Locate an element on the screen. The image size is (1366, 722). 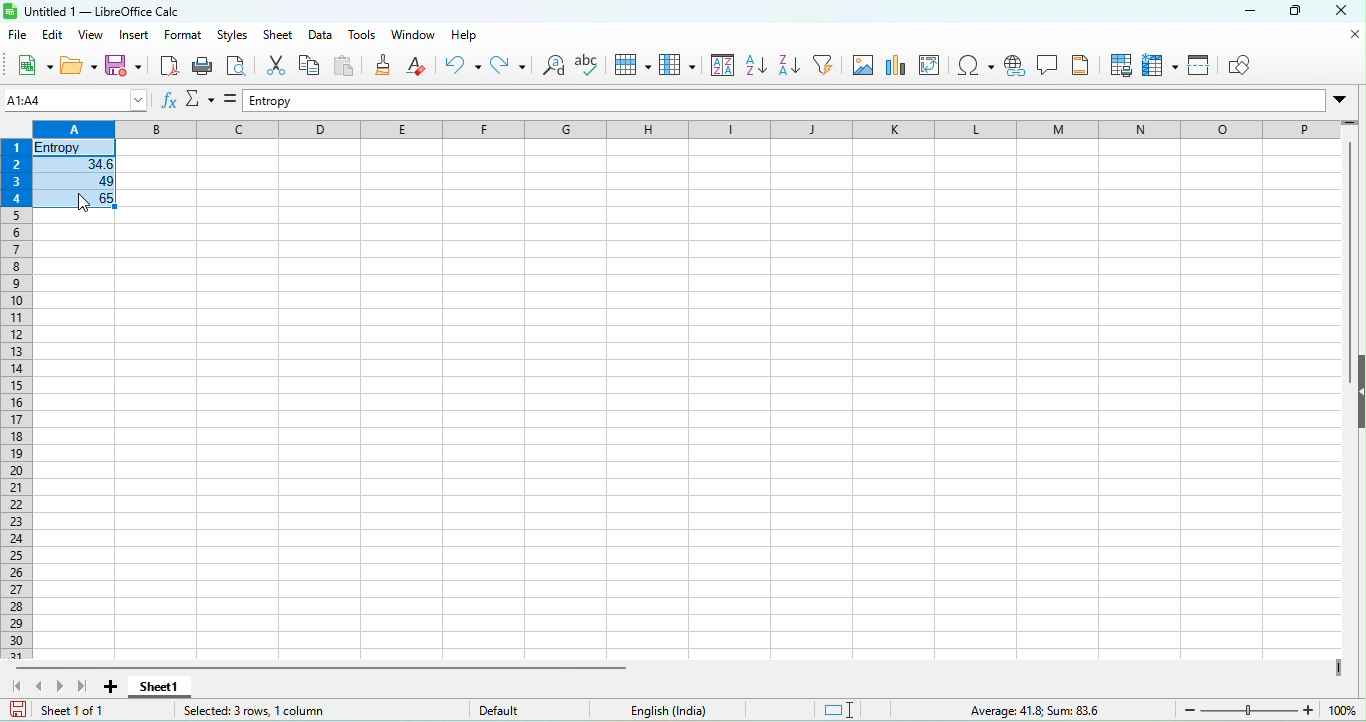
cut is located at coordinates (272, 68).